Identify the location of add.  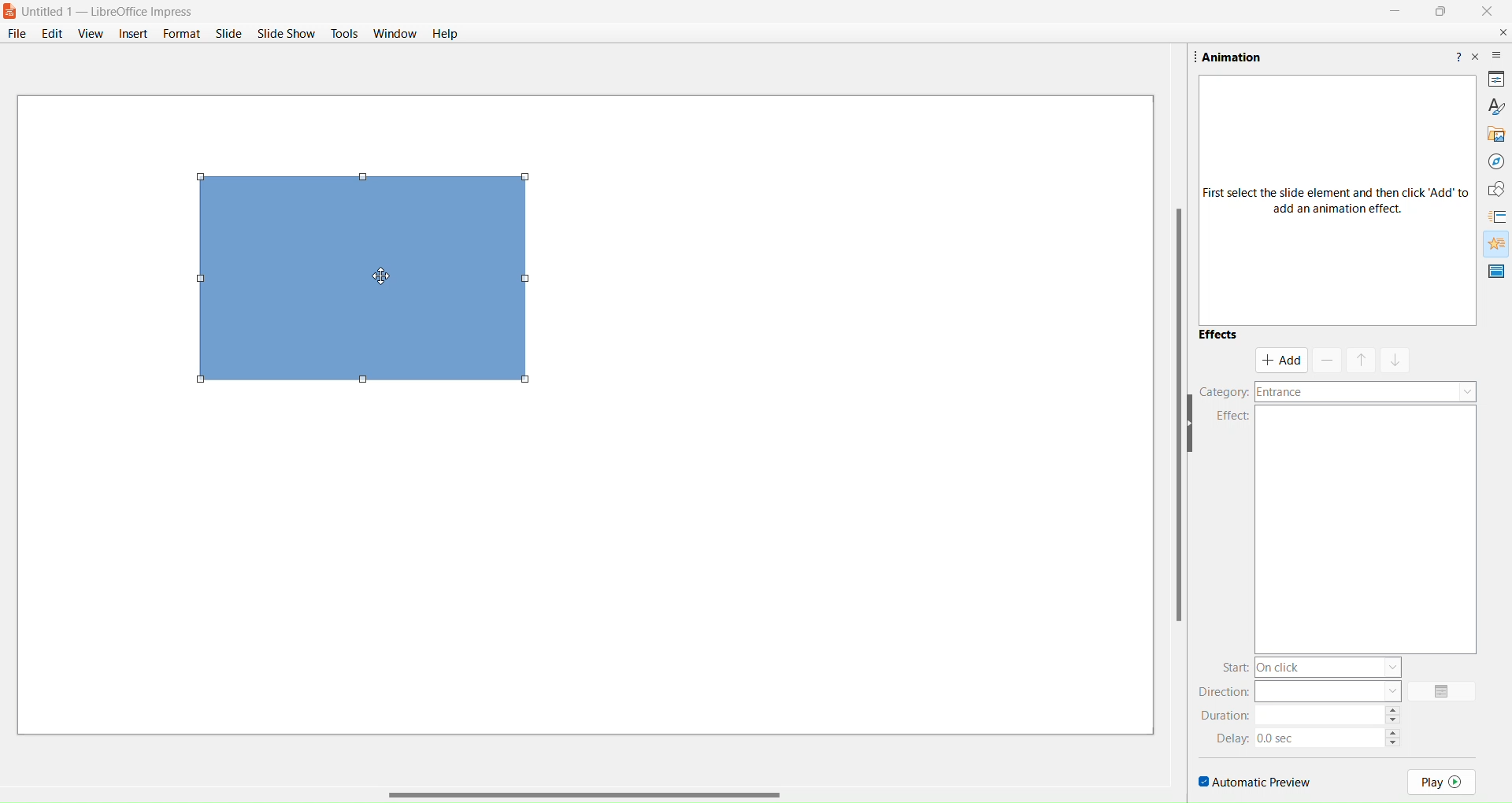
(1282, 360).